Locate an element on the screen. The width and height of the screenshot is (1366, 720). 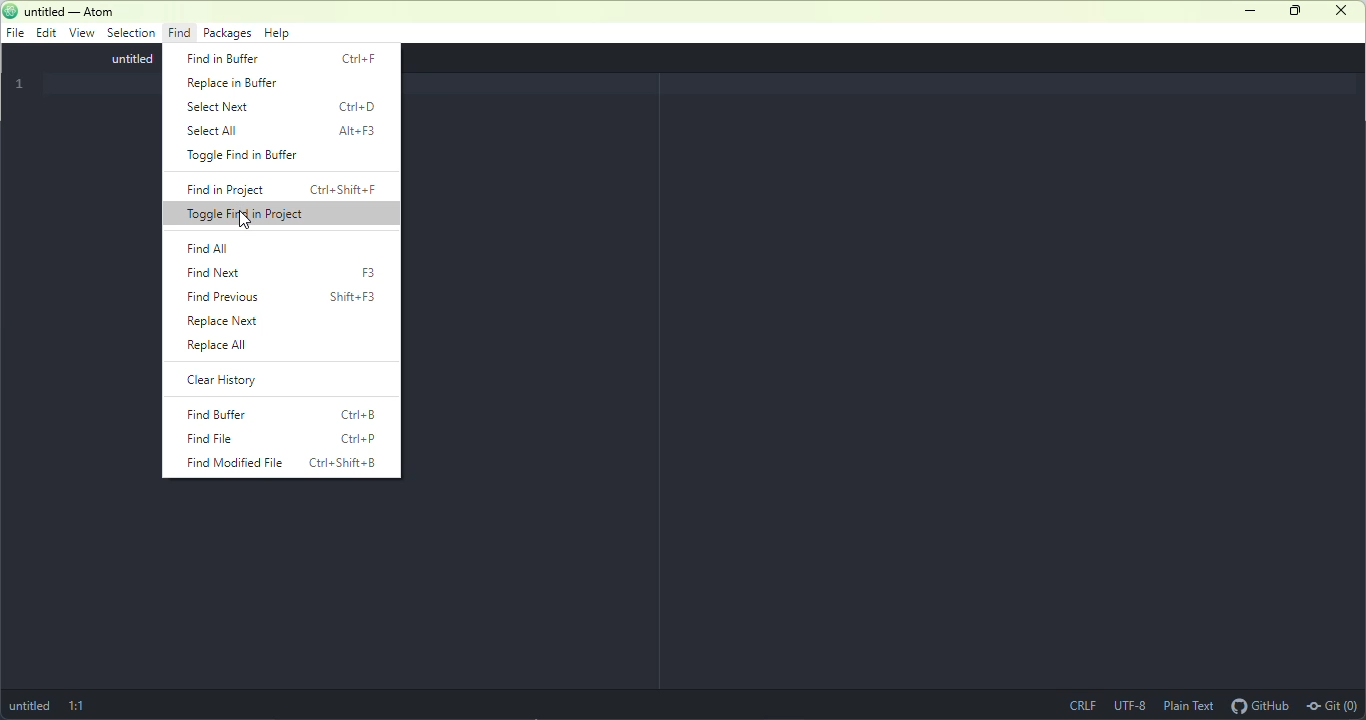
find next is located at coordinates (289, 274).